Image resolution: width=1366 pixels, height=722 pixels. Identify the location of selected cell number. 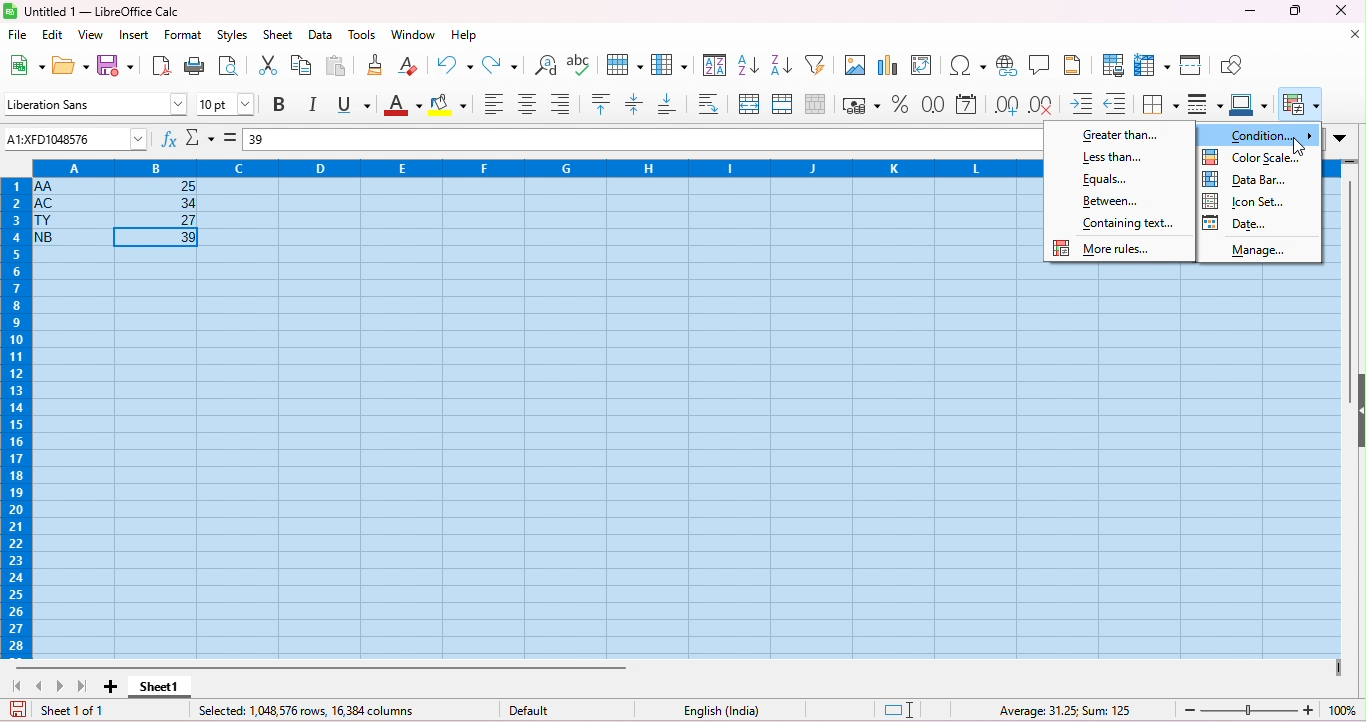
(77, 138).